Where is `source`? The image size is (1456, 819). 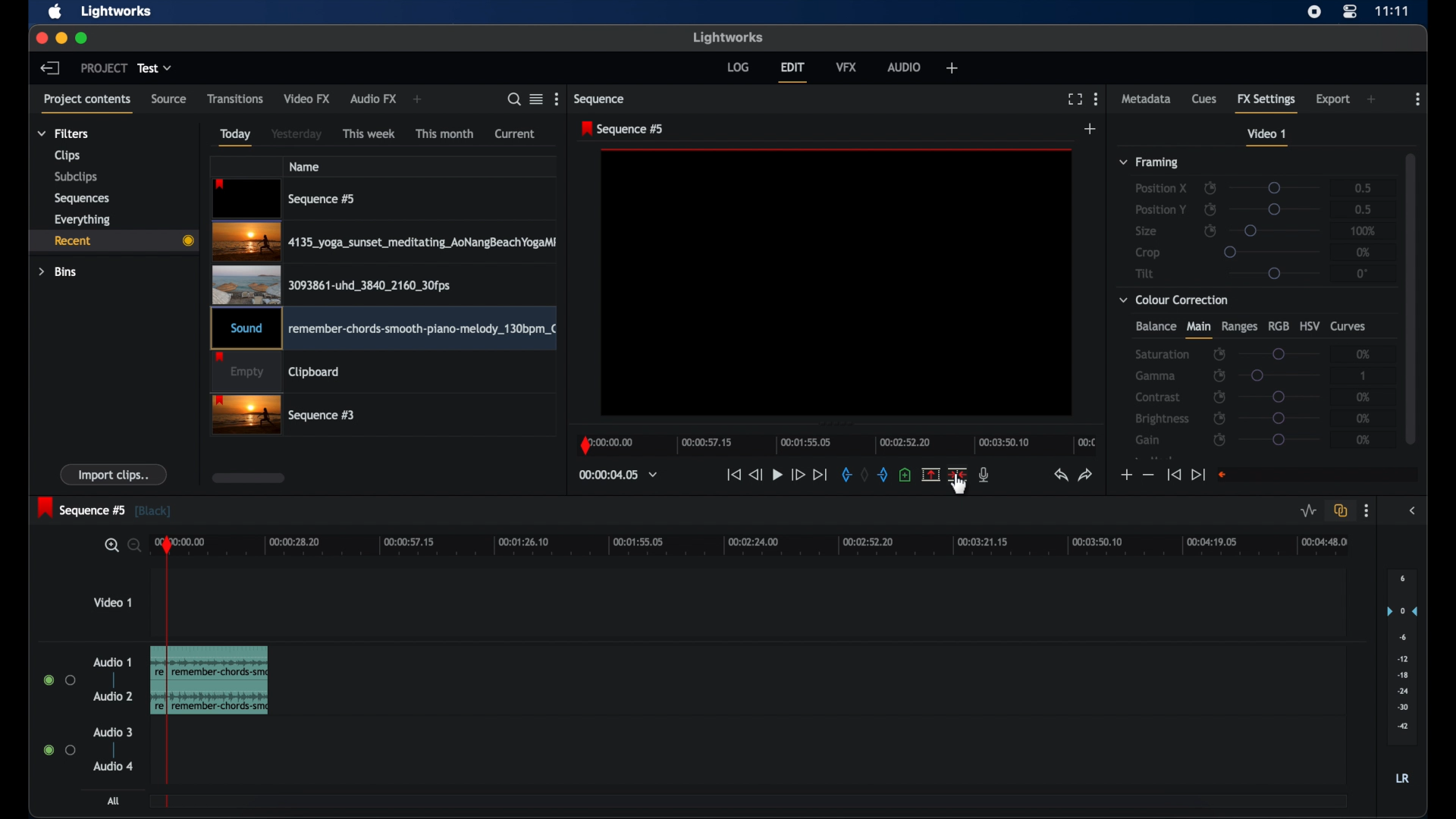
source is located at coordinates (169, 99).